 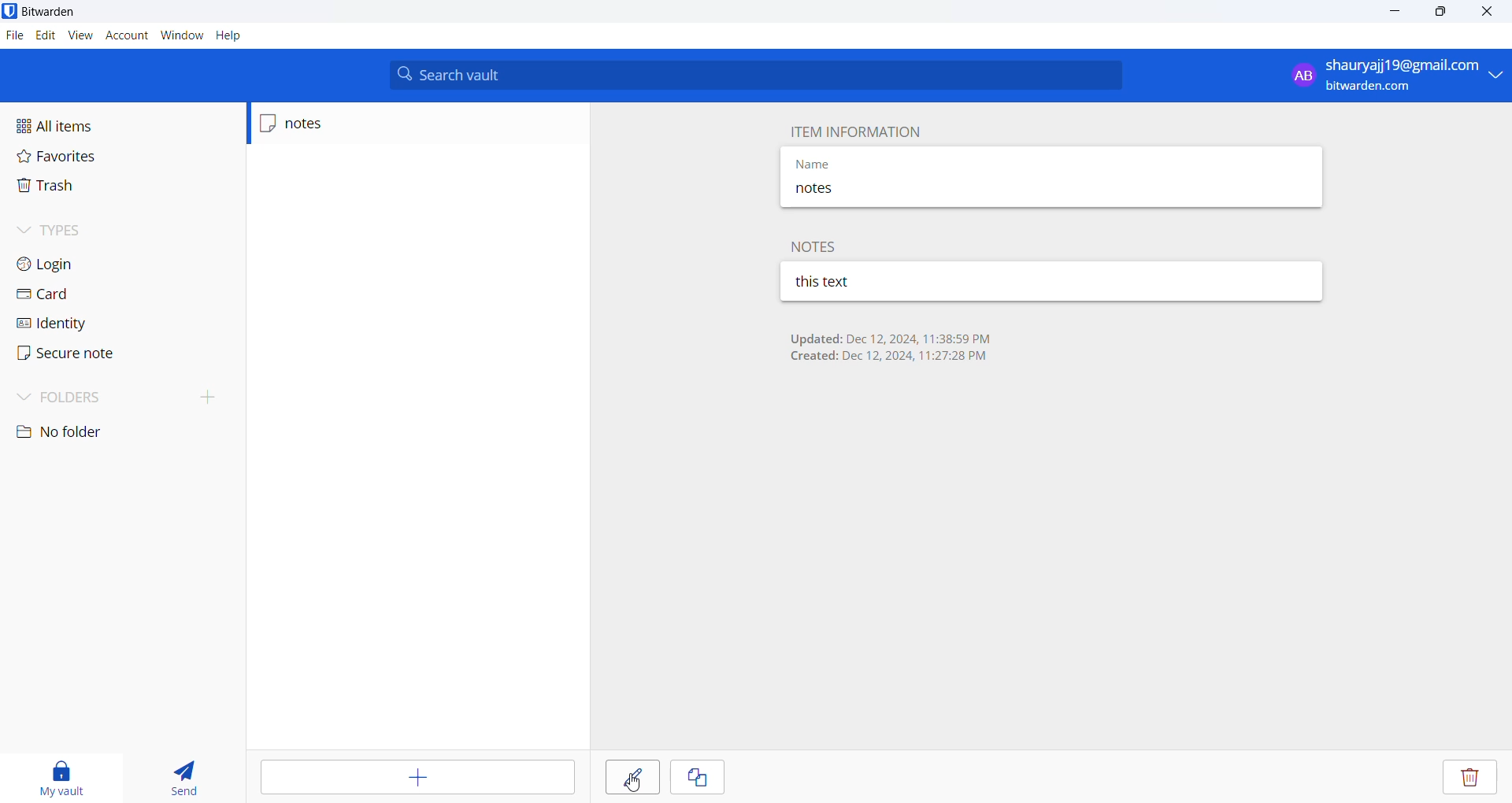 What do you see at coordinates (1482, 12) in the screenshot?
I see `close` at bounding box center [1482, 12].